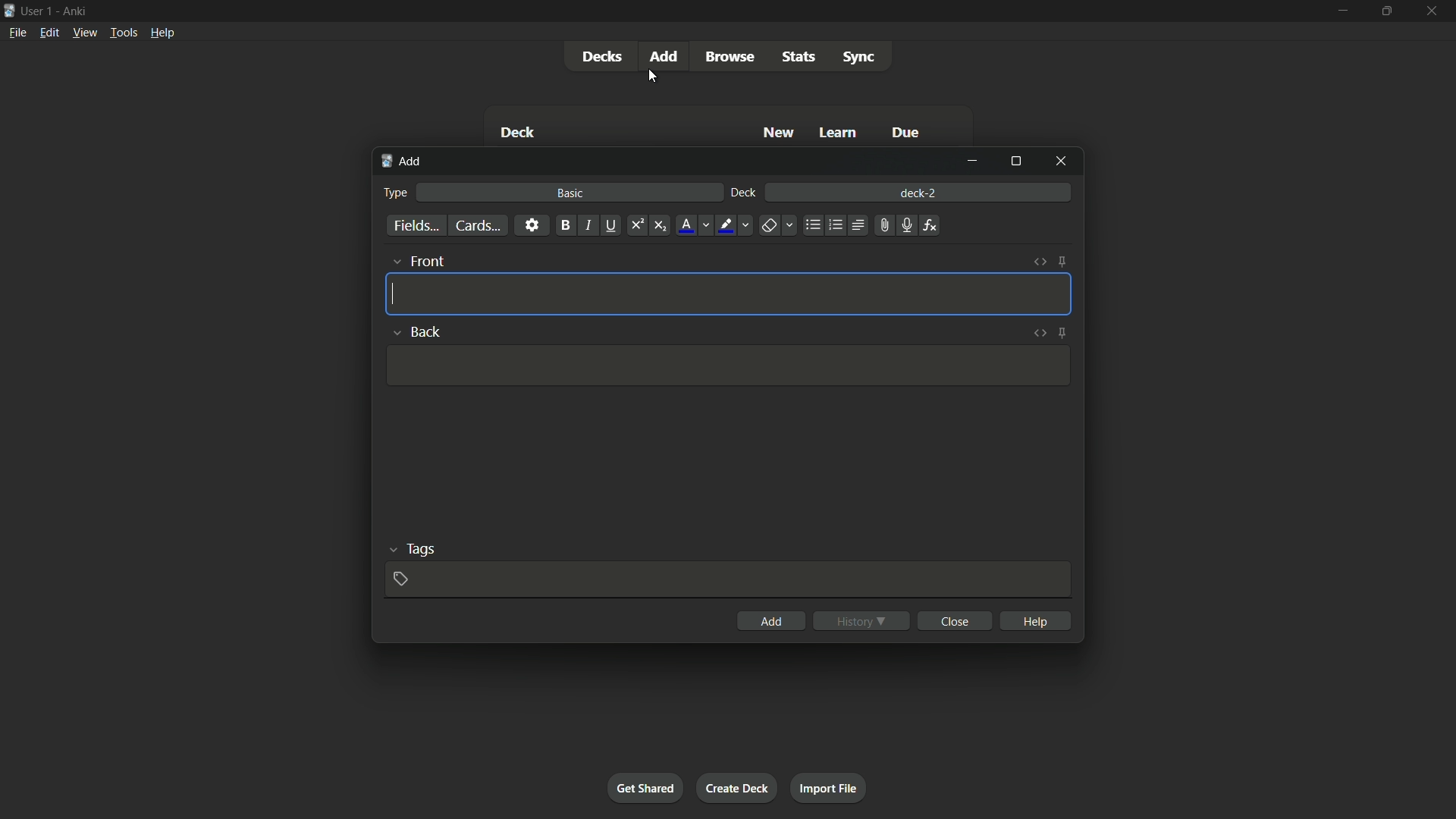 Image resolution: width=1456 pixels, height=819 pixels. Describe the element at coordinates (1064, 262) in the screenshot. I see `toggle sticky` at that location.